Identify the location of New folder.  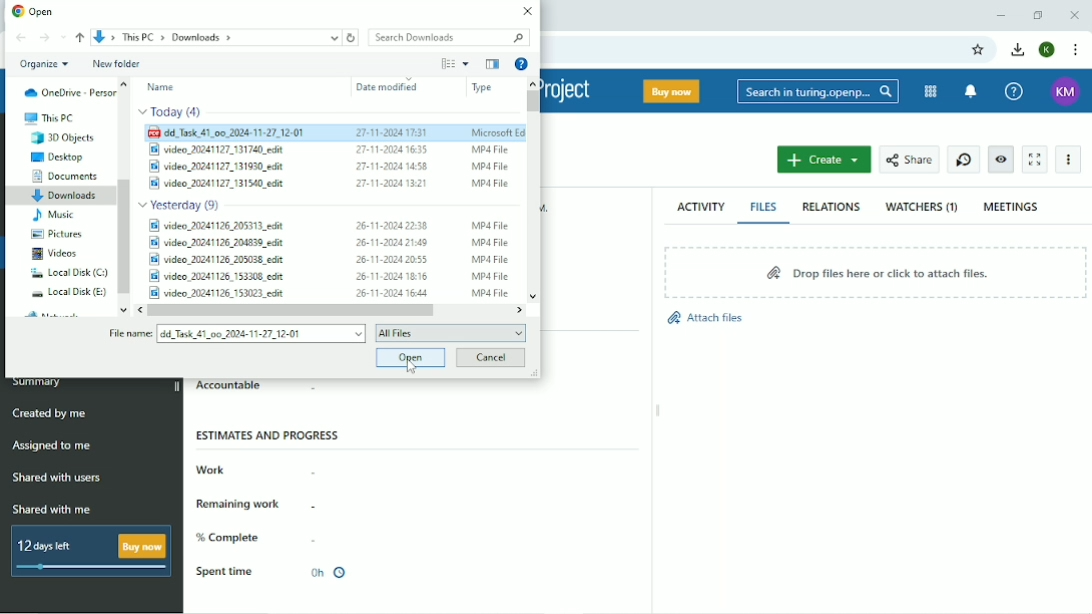
(117, 63).